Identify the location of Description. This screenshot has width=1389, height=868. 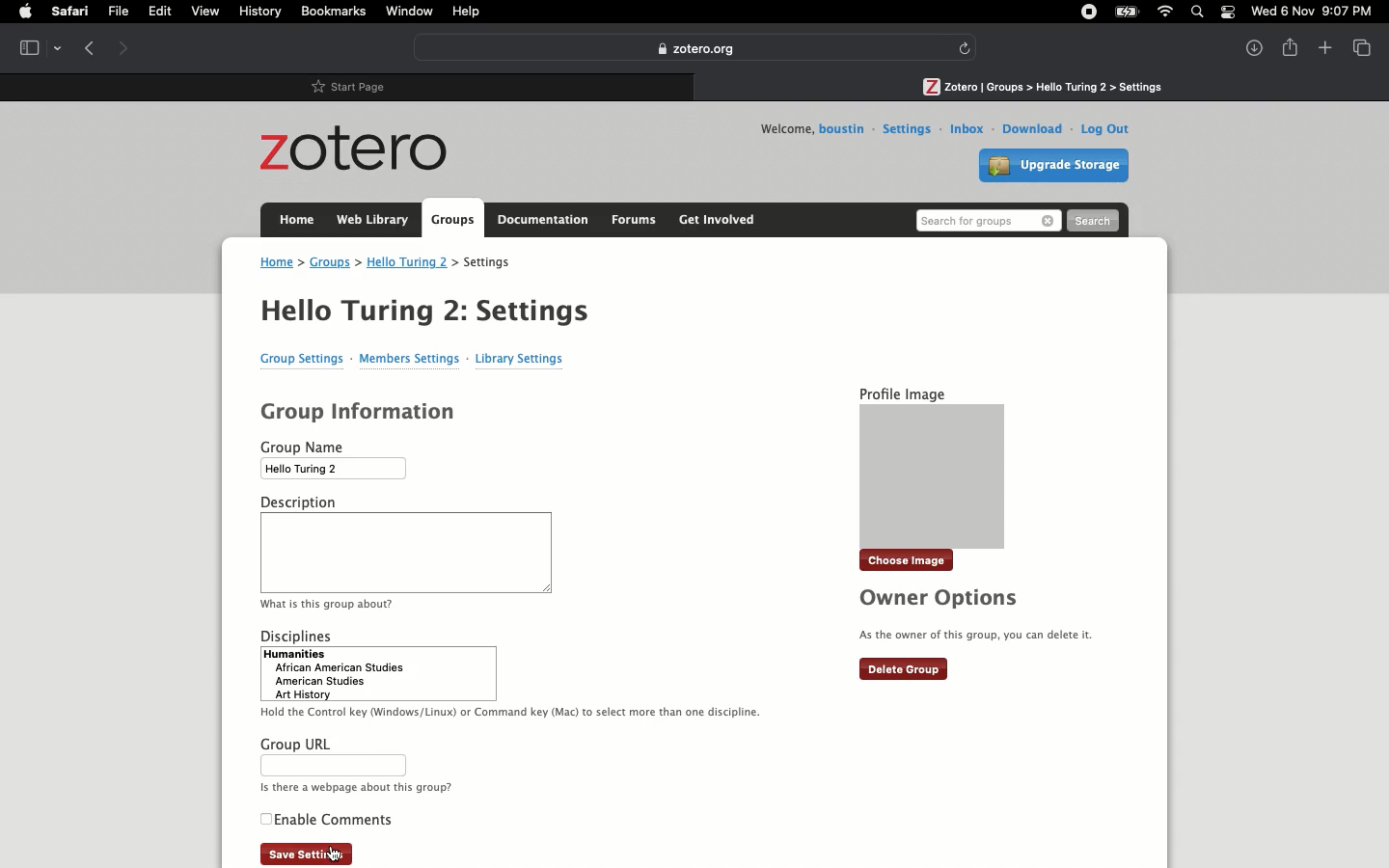
(408, 551).